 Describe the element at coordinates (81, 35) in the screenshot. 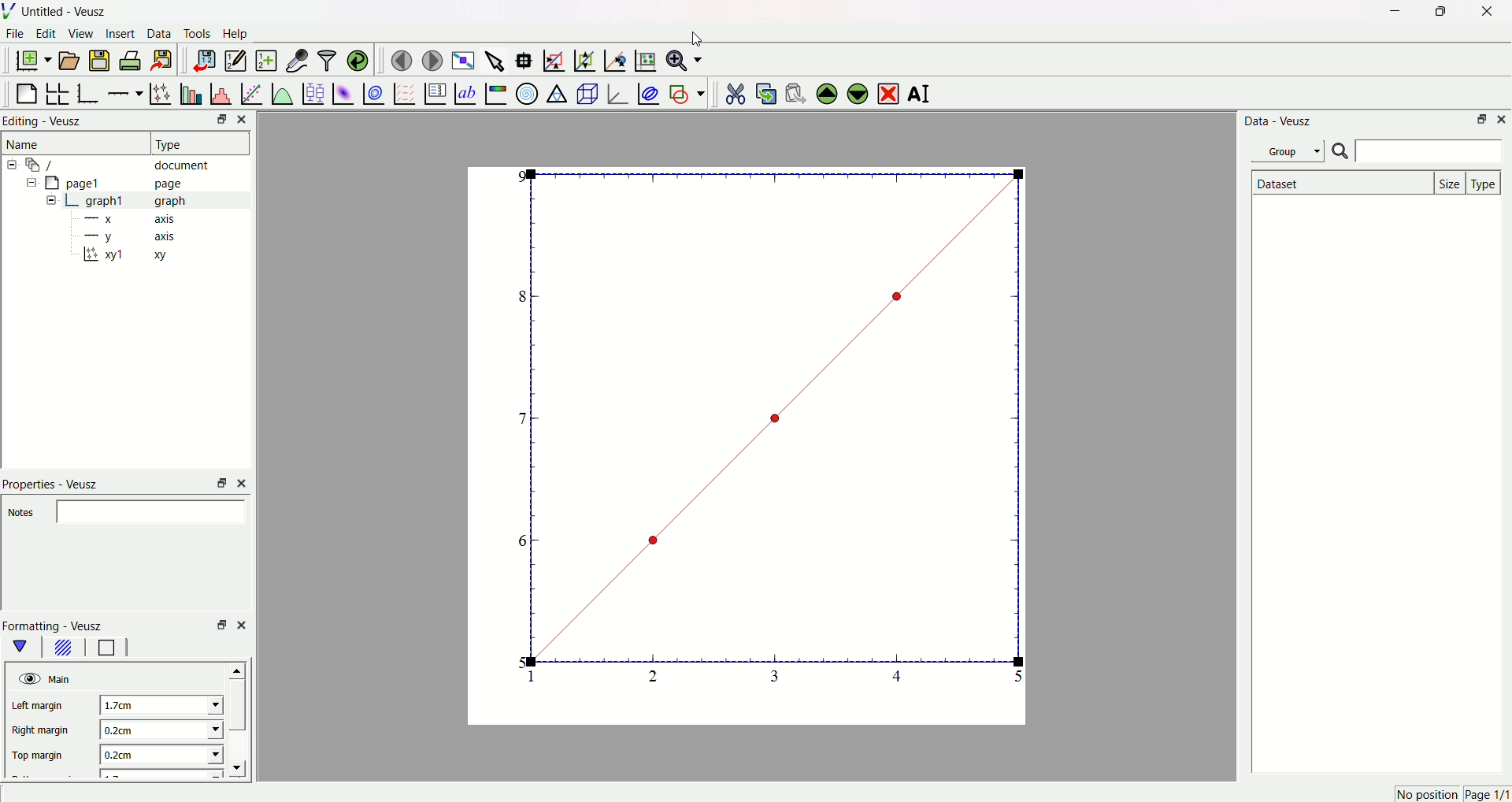

I see `View` at that location.